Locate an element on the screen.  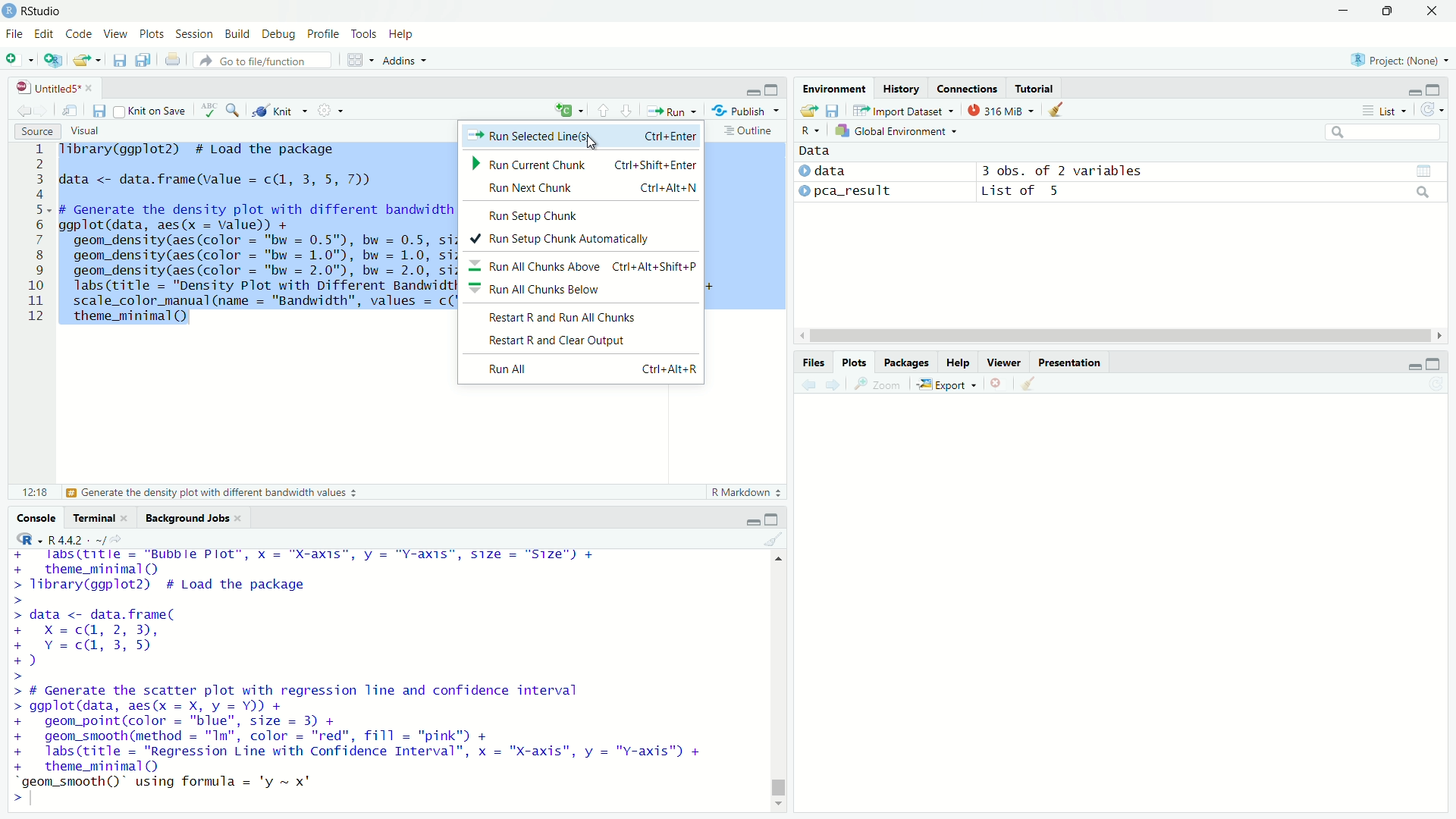
insert a new code/chunk is located at coordinates (569, 110).